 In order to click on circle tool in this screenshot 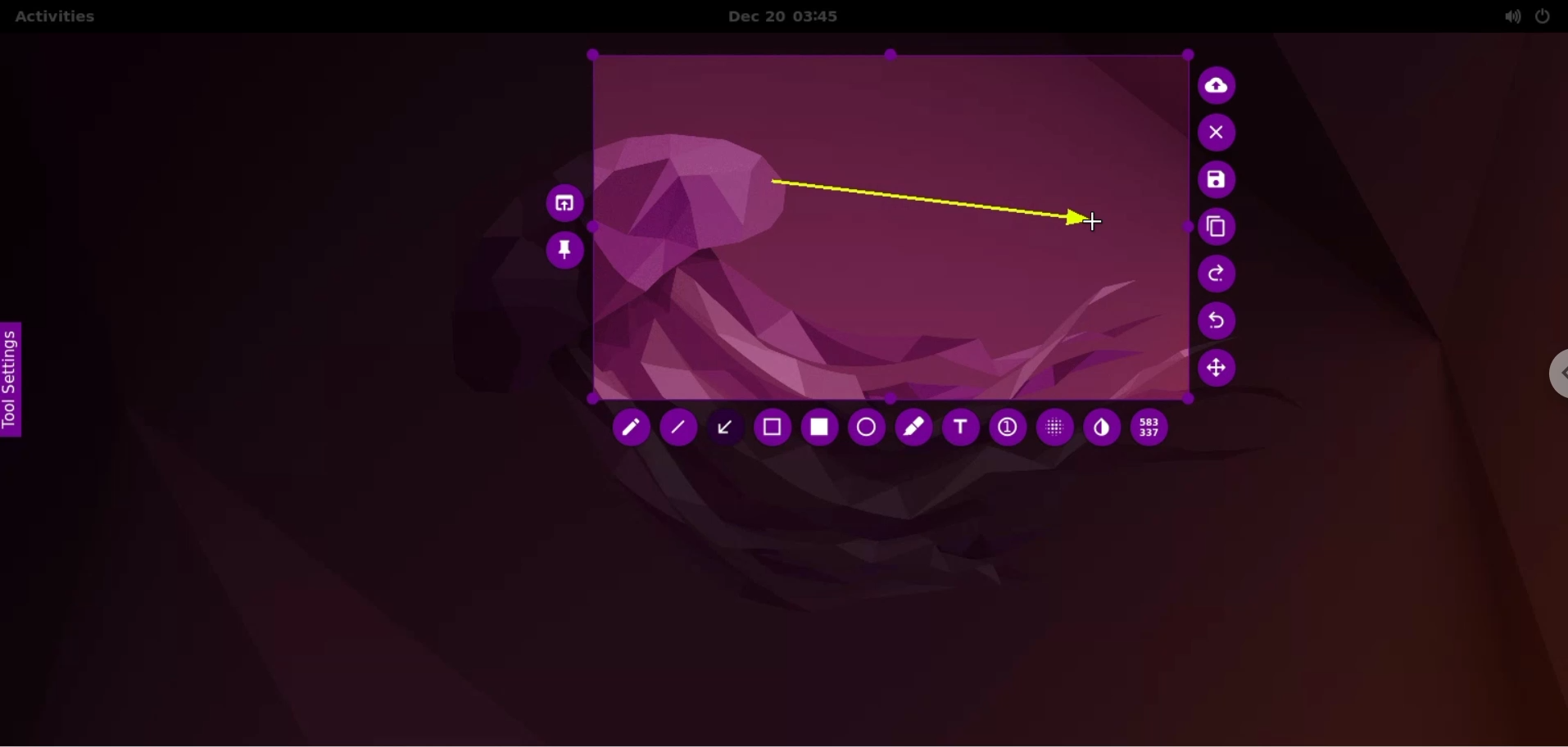, I will do `click(864, 428)`.